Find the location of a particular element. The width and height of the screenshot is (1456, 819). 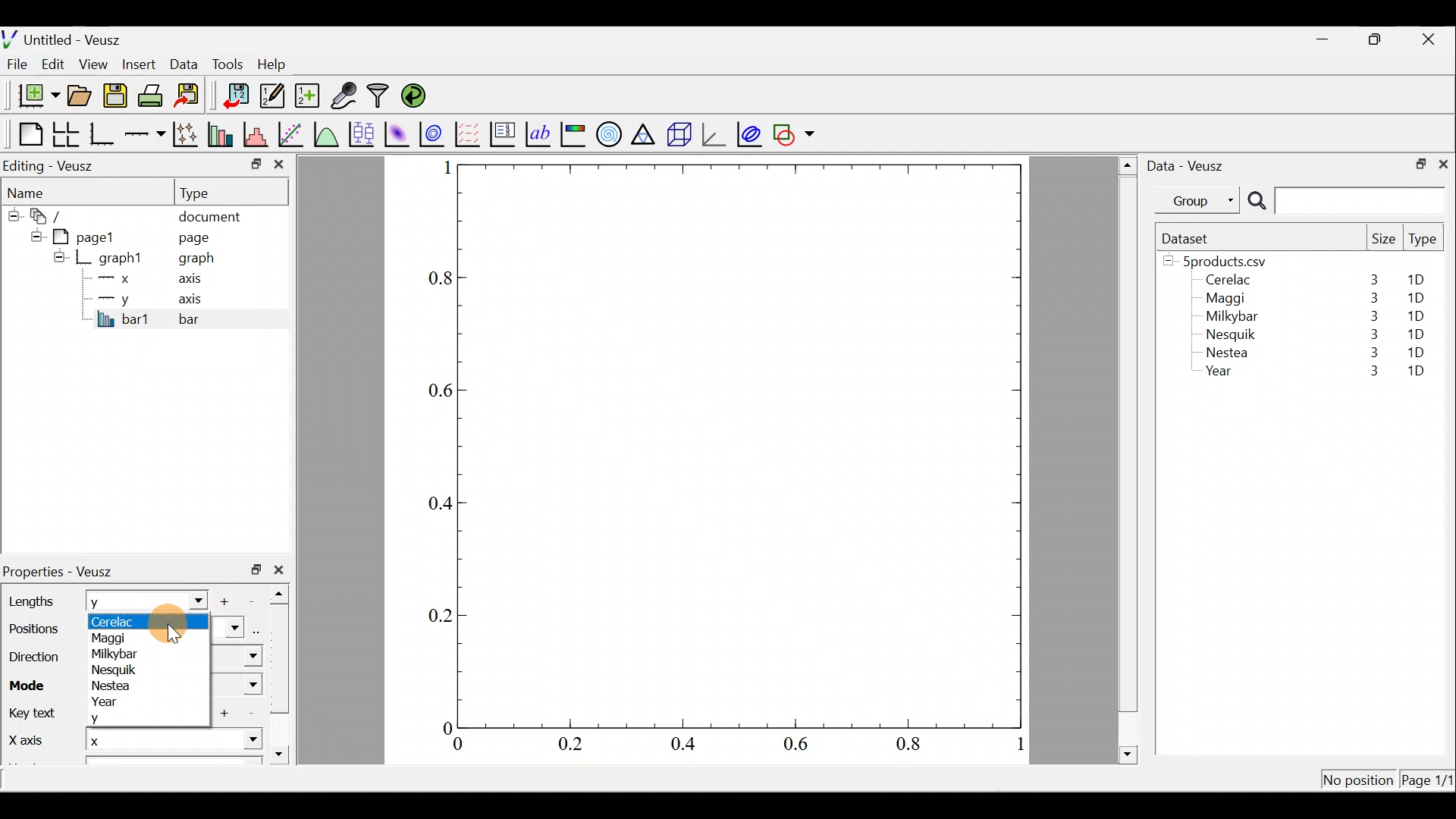

scroll bar is located at coordinates (284, 670).